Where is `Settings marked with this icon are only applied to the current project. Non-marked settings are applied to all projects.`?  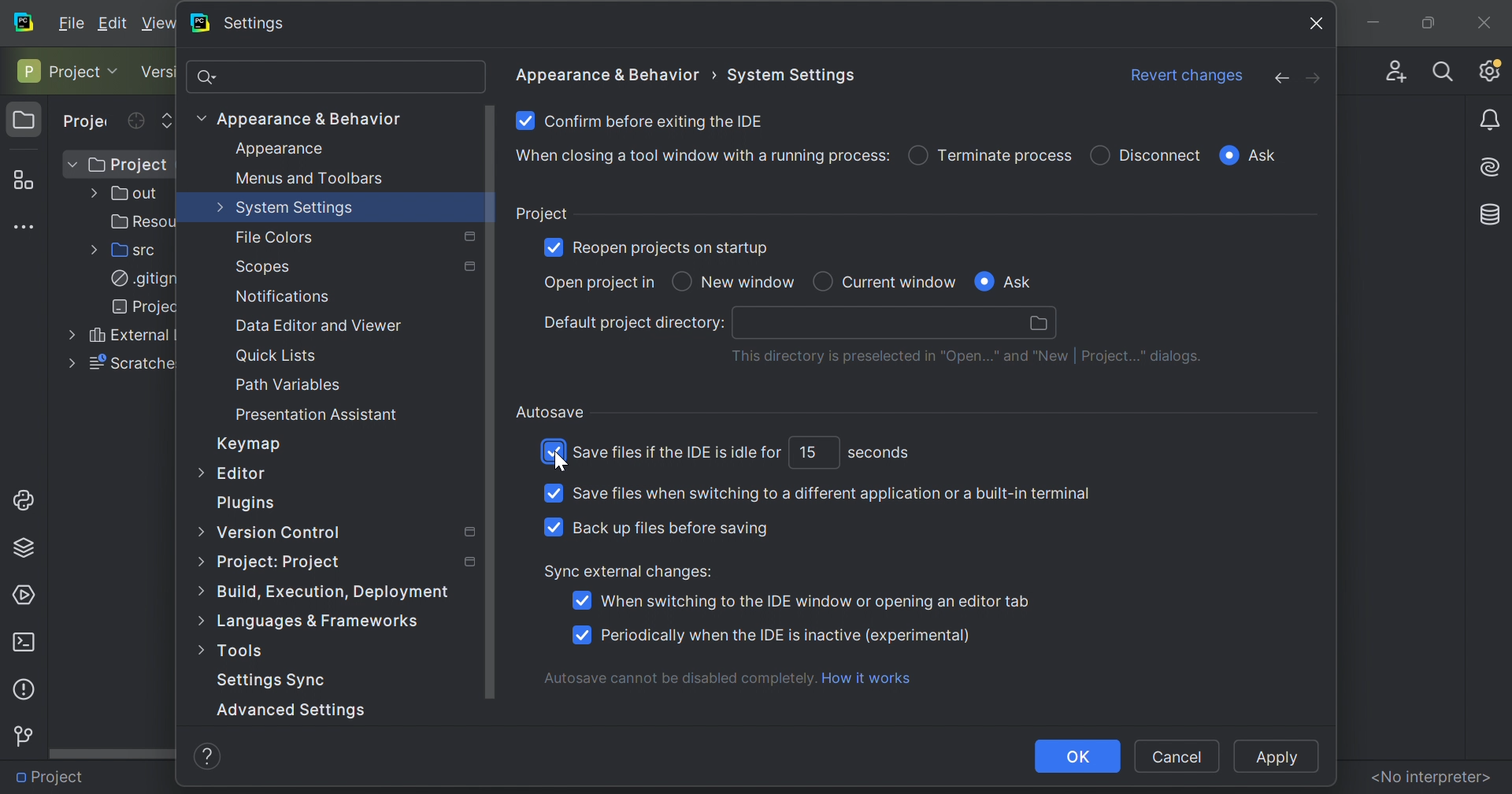 Settings marked with this icon are only applied to the current project. Non-marked settings are applied to all projects. is located at coordinates (466, 560).